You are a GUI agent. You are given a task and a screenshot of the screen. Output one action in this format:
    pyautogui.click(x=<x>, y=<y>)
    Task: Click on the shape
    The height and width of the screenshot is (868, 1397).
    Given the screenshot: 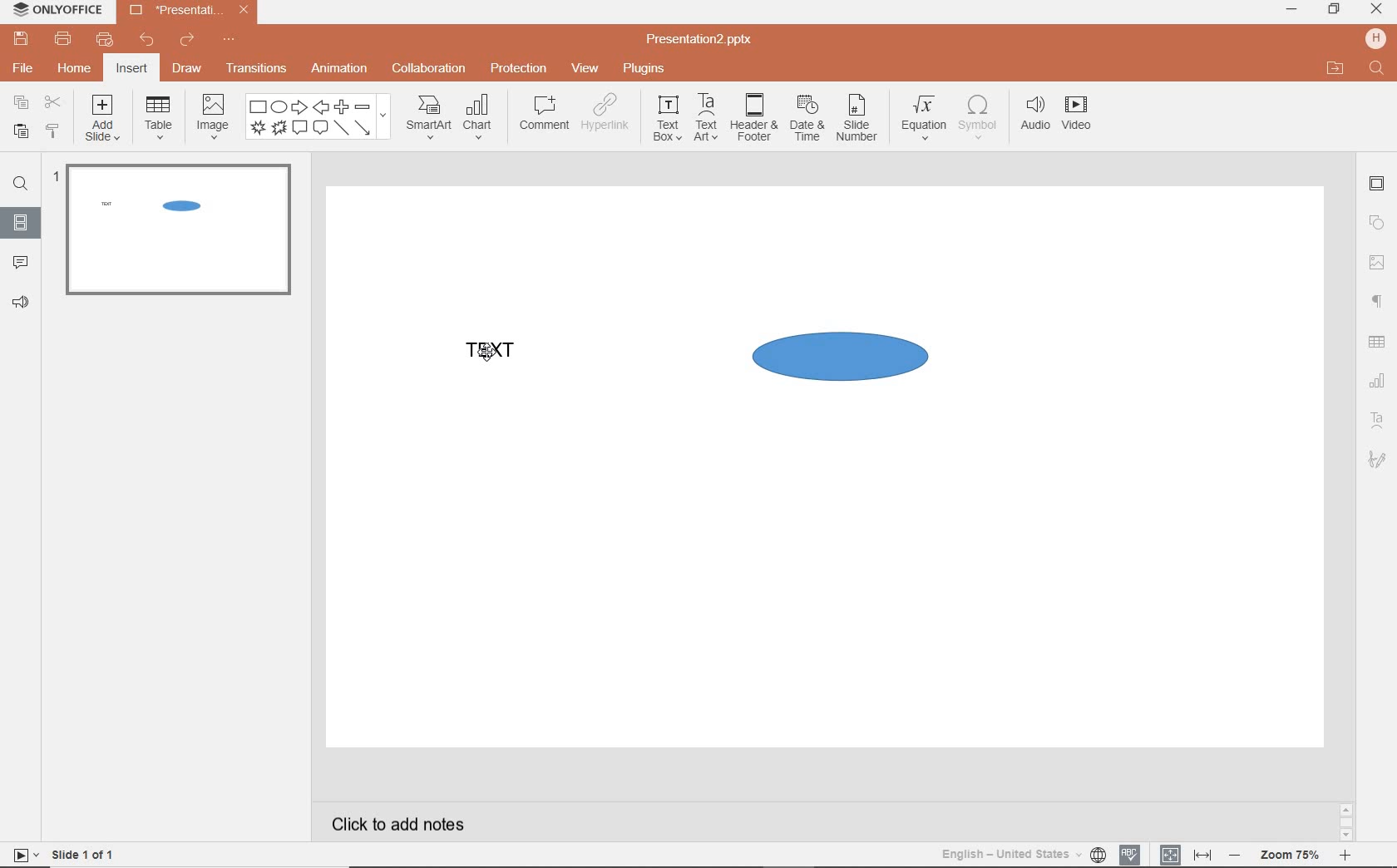 What is the action you would take?
    pyautogui.click(x=318, y=118)
    